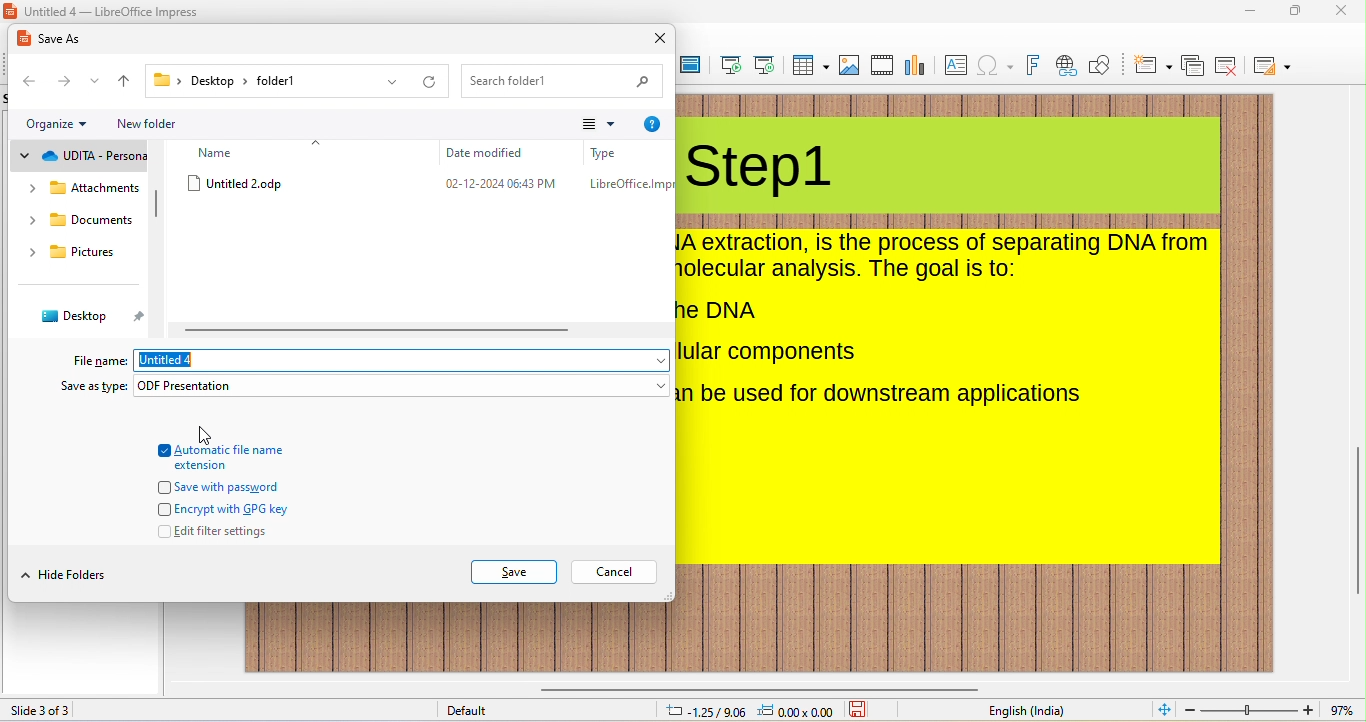  I want to click on file path, so click(235, 83).